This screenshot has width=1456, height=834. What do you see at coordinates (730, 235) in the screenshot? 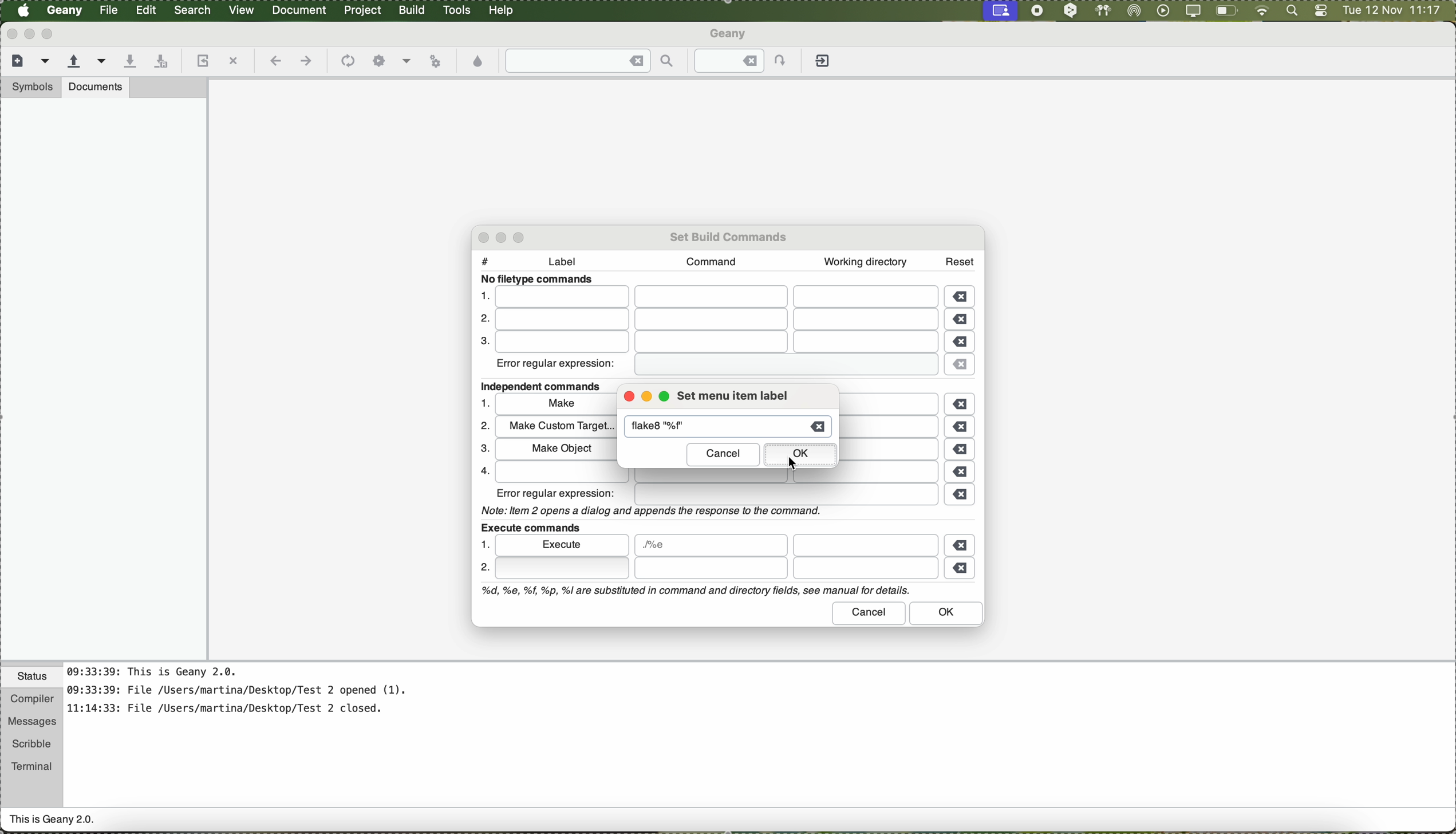
I see `set build commands` at bounding box center [730, 235].